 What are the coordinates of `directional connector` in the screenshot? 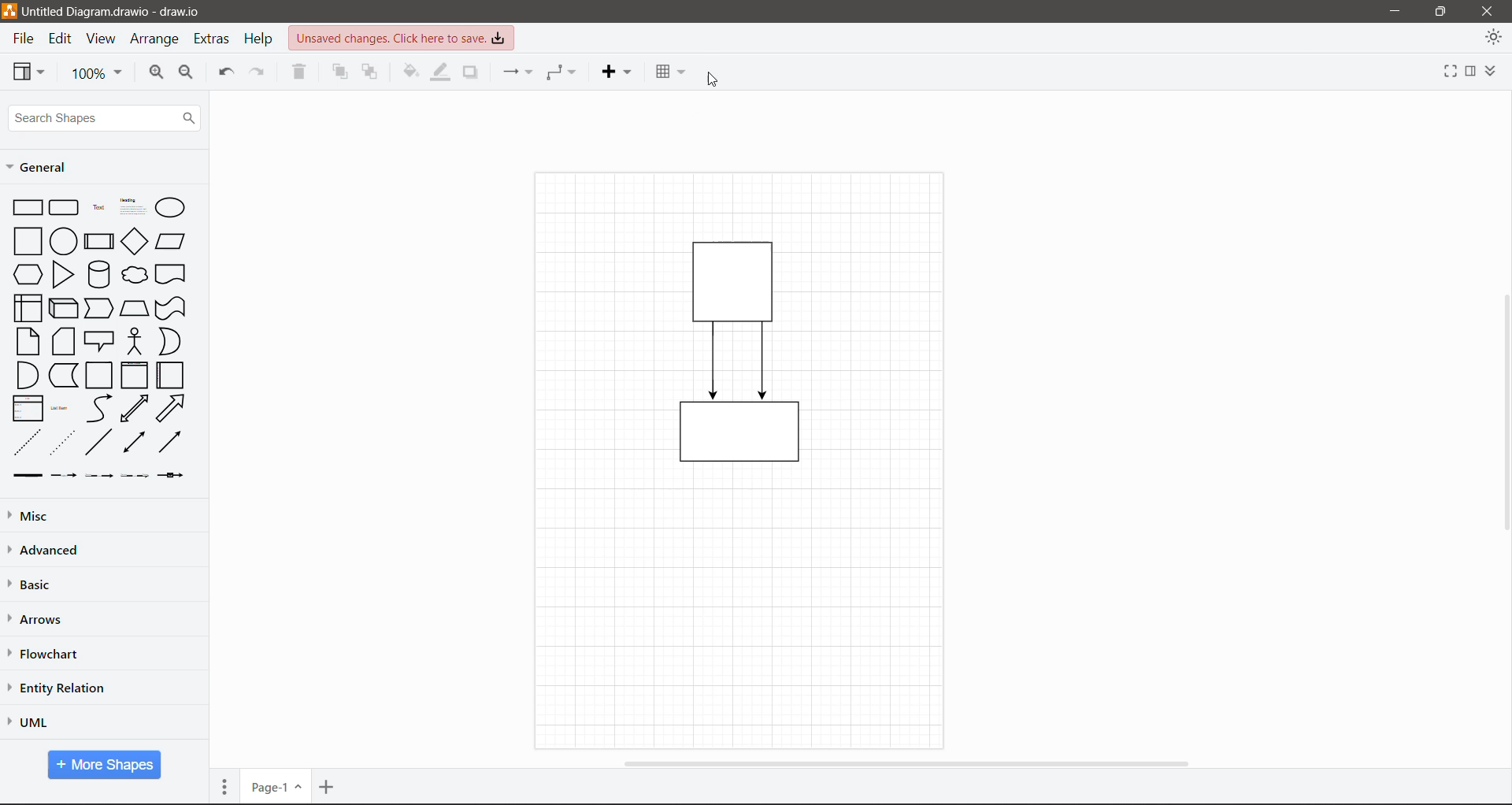 It's located at (169, 442).